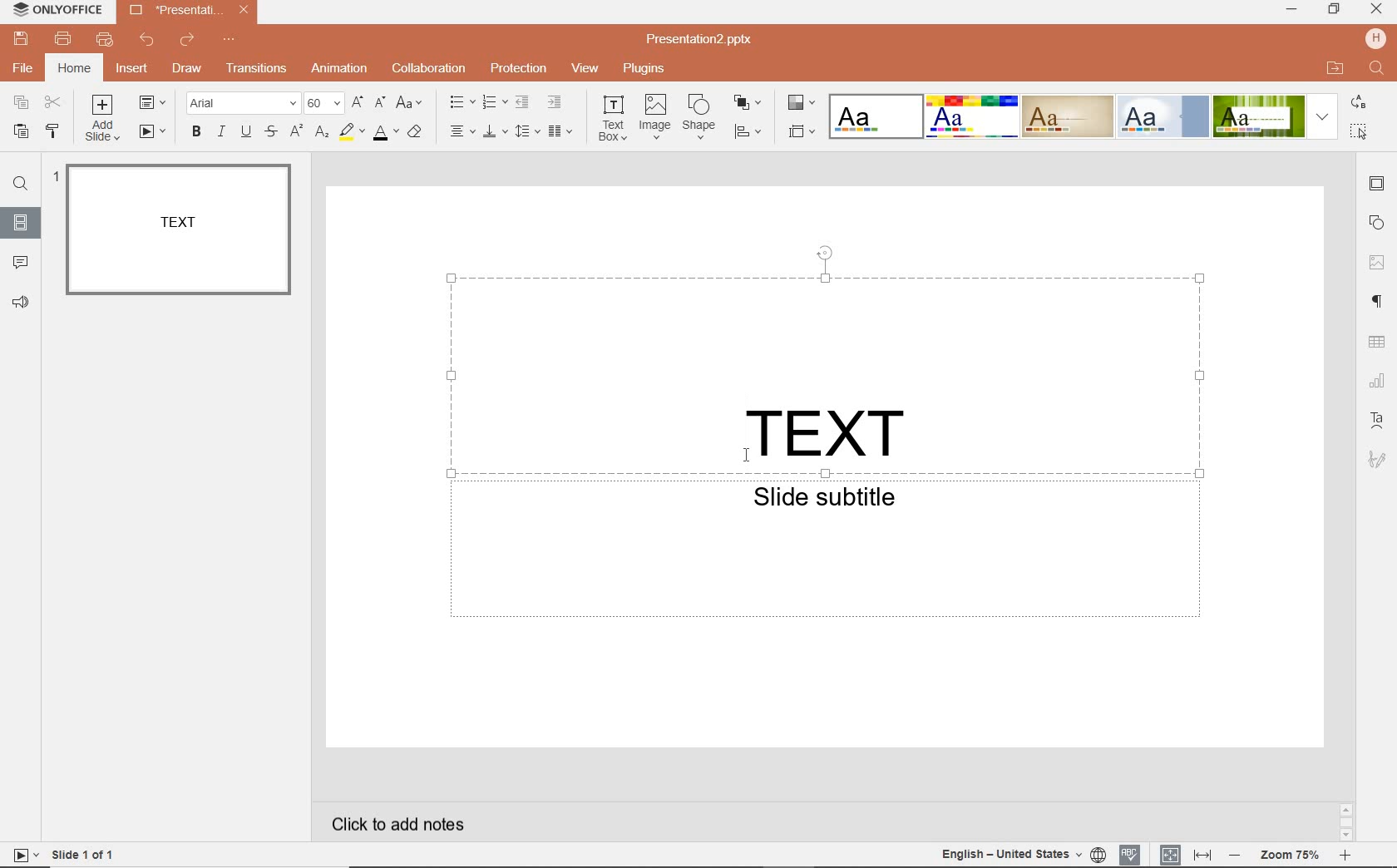  What do you see at coordinates (1187, 852) in the screenshot?
I see `FIT TO SLIDE / FIT TO WIDTH` at bounding box center [1187, 852].